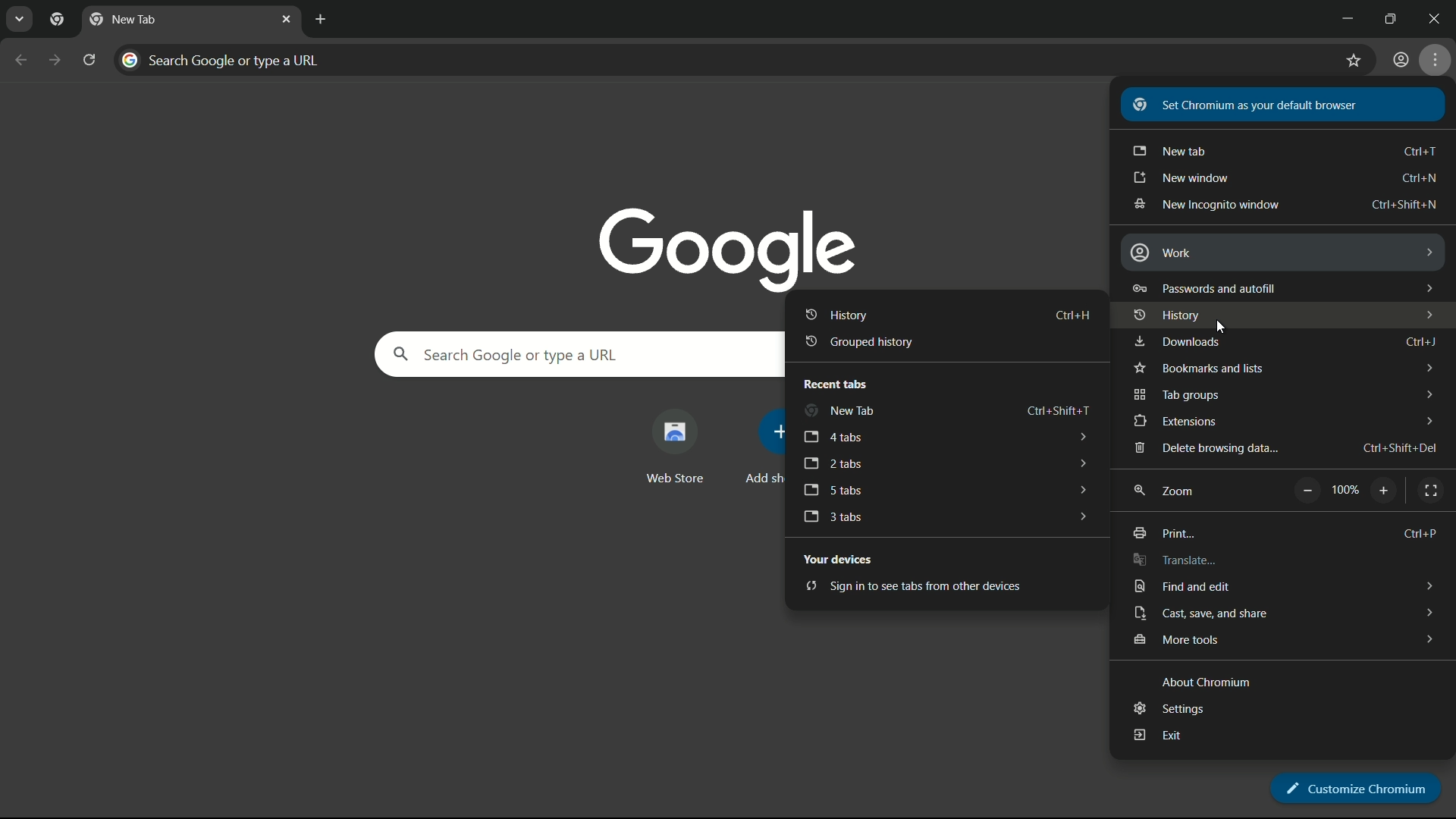  What do you see at coordinates (1427, 639) in the screenshot?
I see `dropdown arrows` at bounding box center [1427, 639].